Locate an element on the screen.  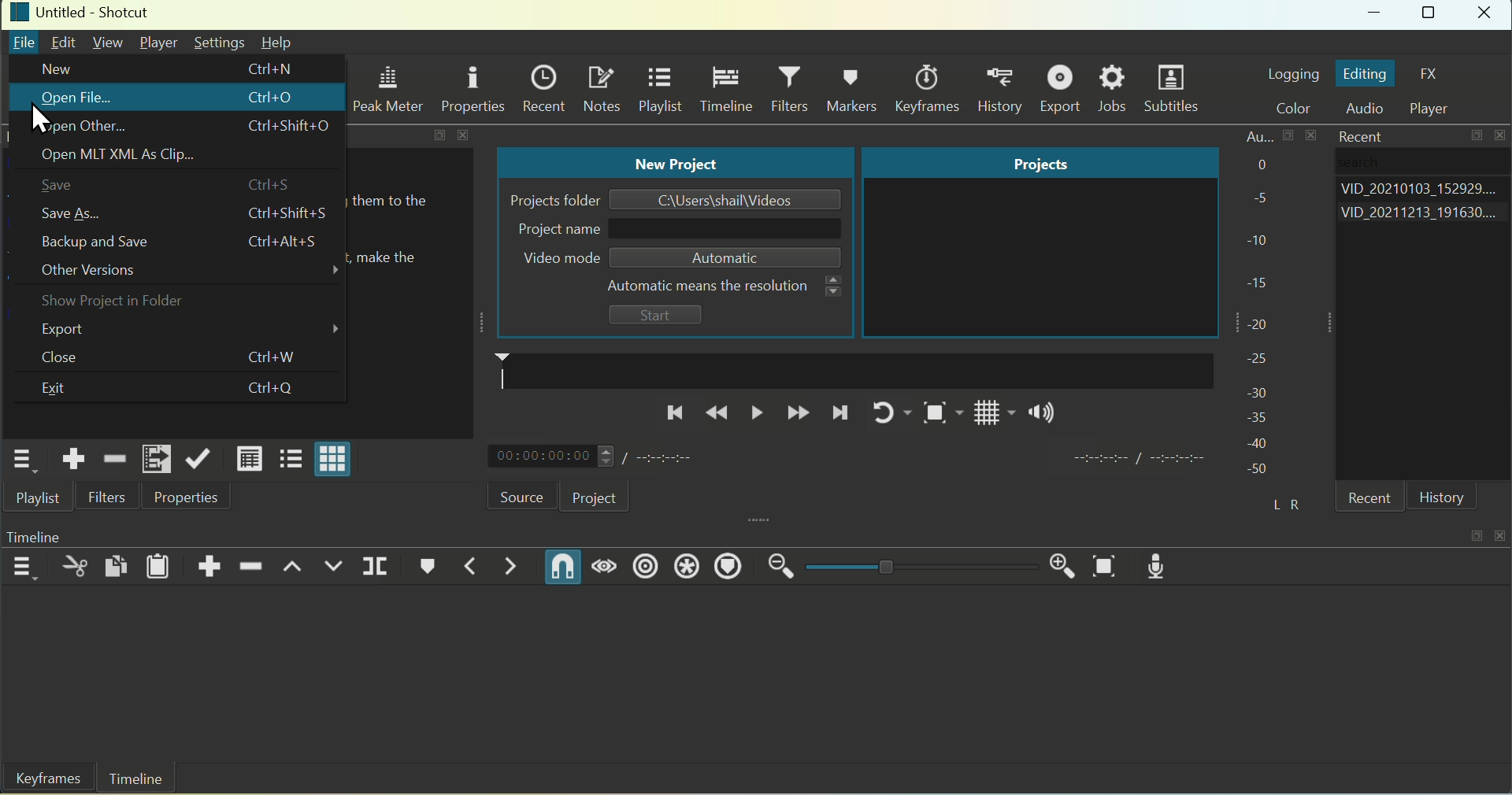
Zoom in is located at coordinates (1058, 563).